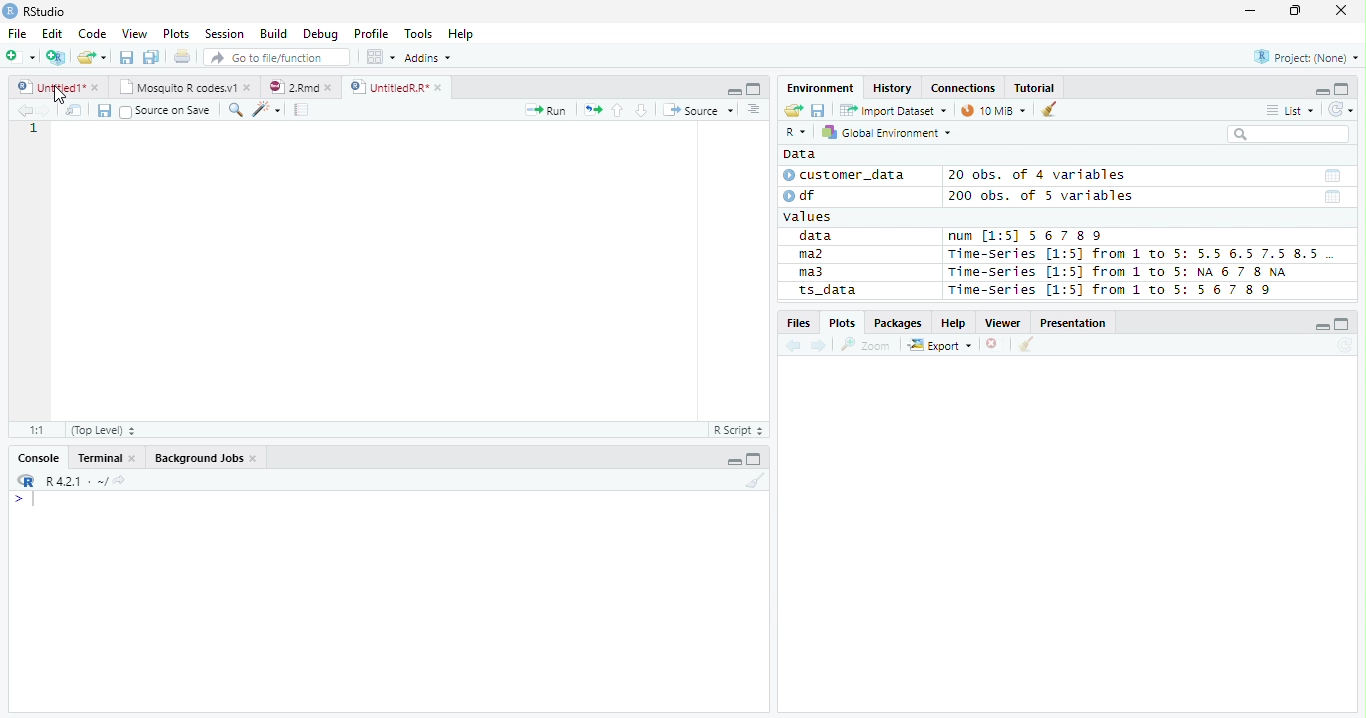 The image size is (1366, 718). Describe the element at coordinates (234, 109) in the screenshot. I see `Find/Replace` at that location.